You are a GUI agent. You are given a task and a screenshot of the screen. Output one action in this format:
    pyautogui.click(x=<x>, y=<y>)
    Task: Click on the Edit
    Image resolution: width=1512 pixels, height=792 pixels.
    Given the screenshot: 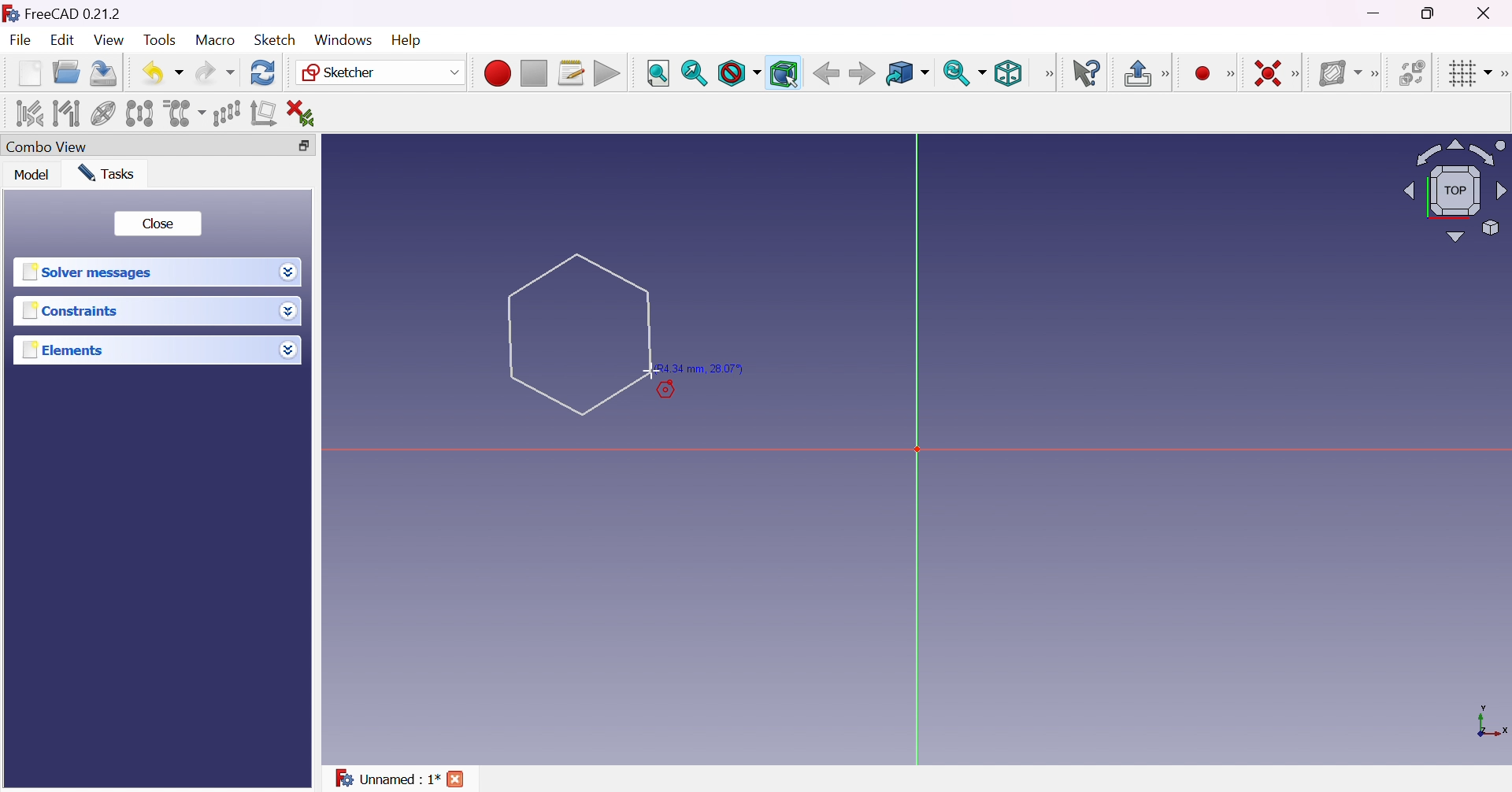 What is the action you would take?
    pyautogui.click(x=65, y=40)
    